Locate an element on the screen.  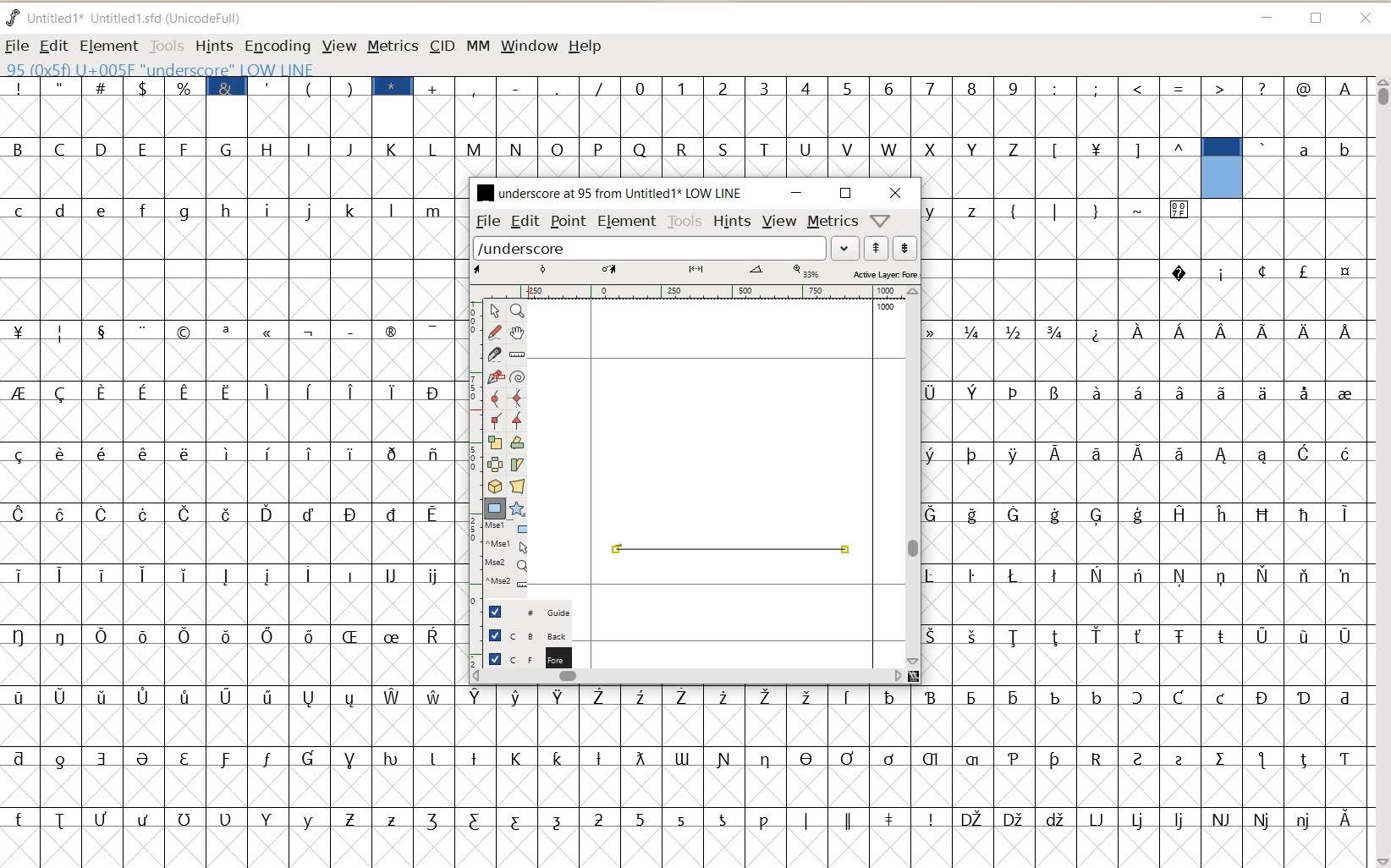
BACKGROUND is located at coordinates (522, 635).